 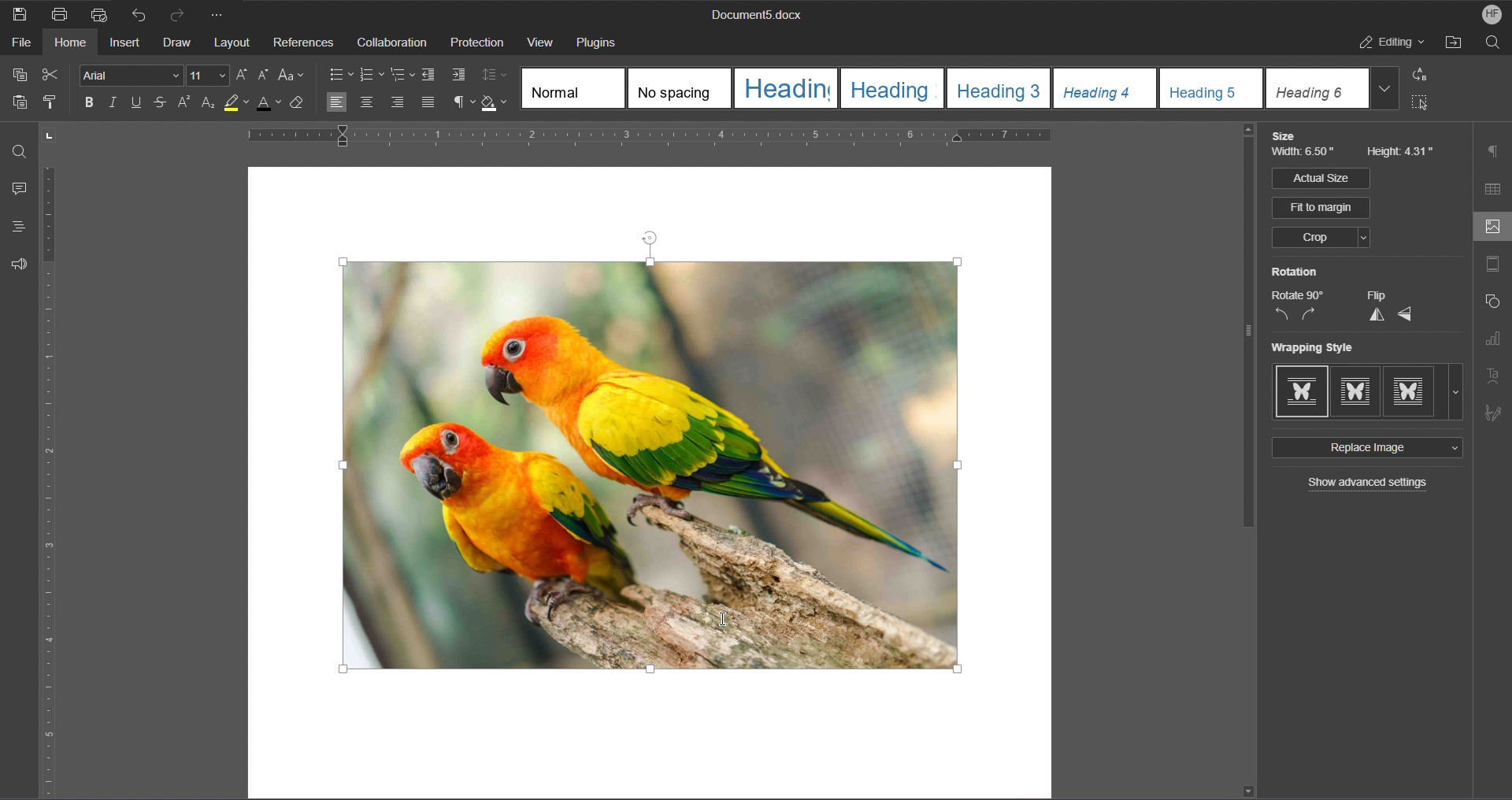 What do you see at coordinates (1374, 315) in the screenshot?
I see `Vertical Flip` at bounding box center [1374, 315].